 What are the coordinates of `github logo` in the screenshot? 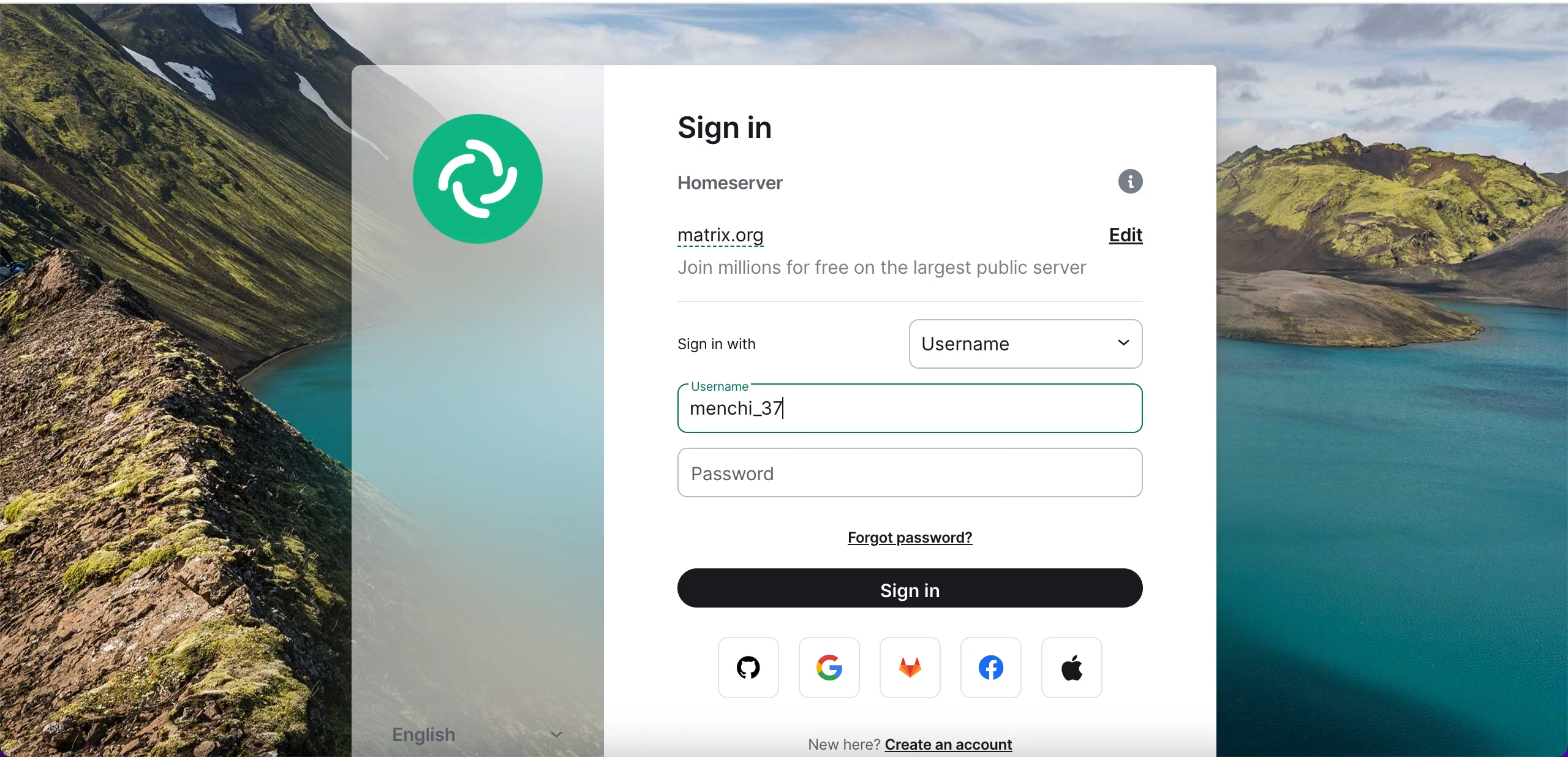 It's located at (740, 668).